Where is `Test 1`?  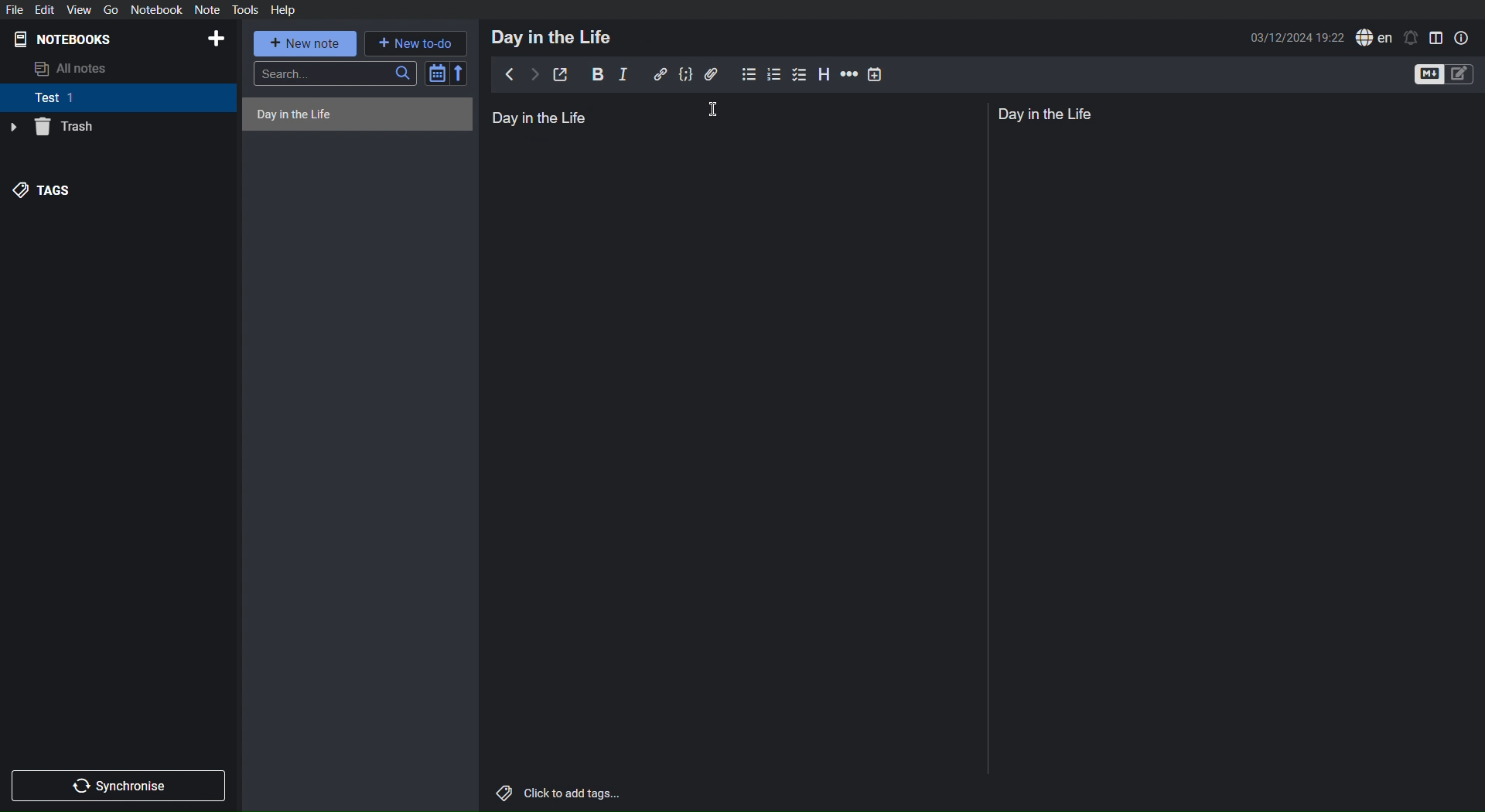 Test 1 is located at coordinates (56, 98).